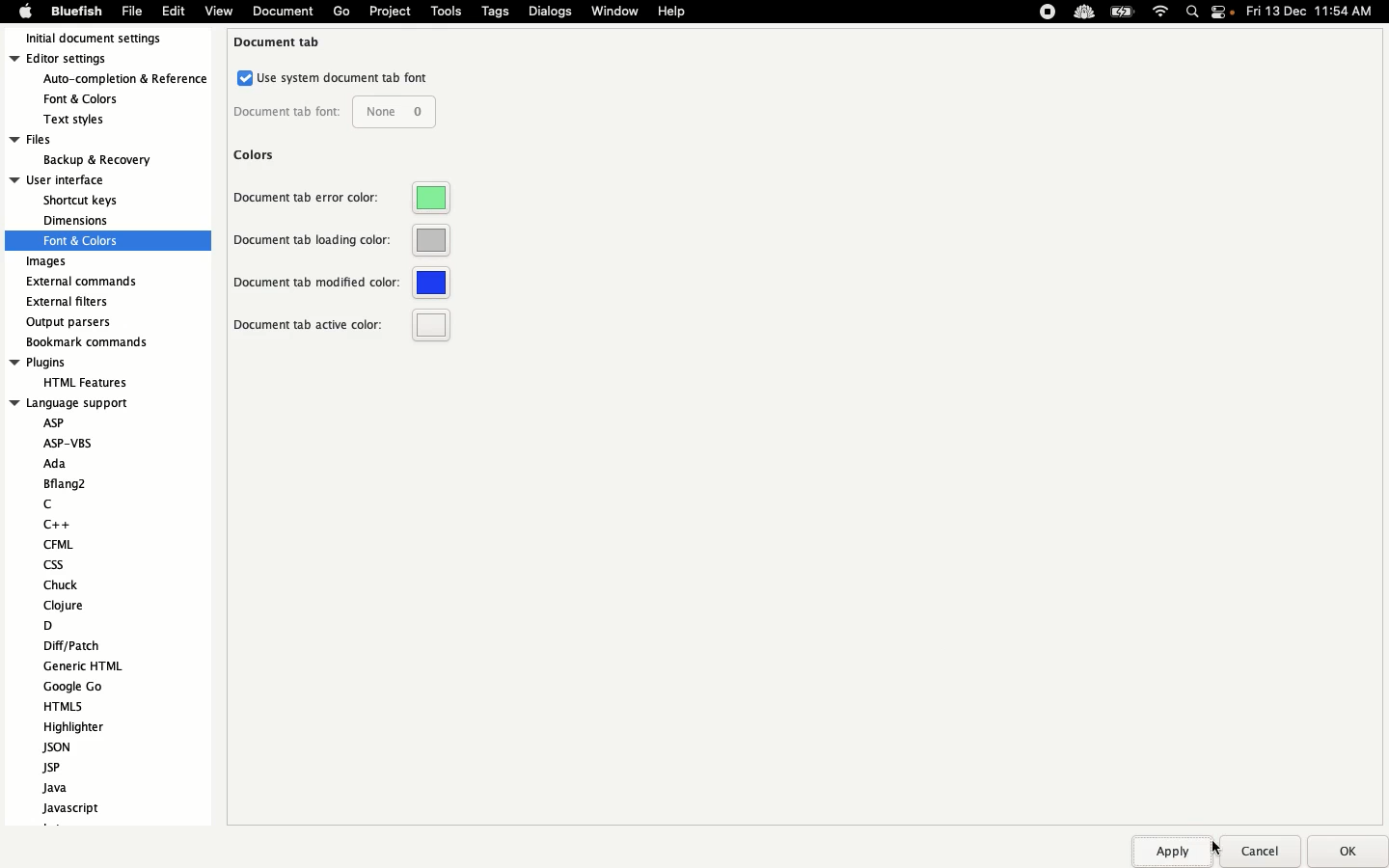 The height and width of the screenshot is (868, 1389). What do you see at coordinates (107, 240) in the screenshot?
I see `fonts and colors` at bounding box center [107, 240].